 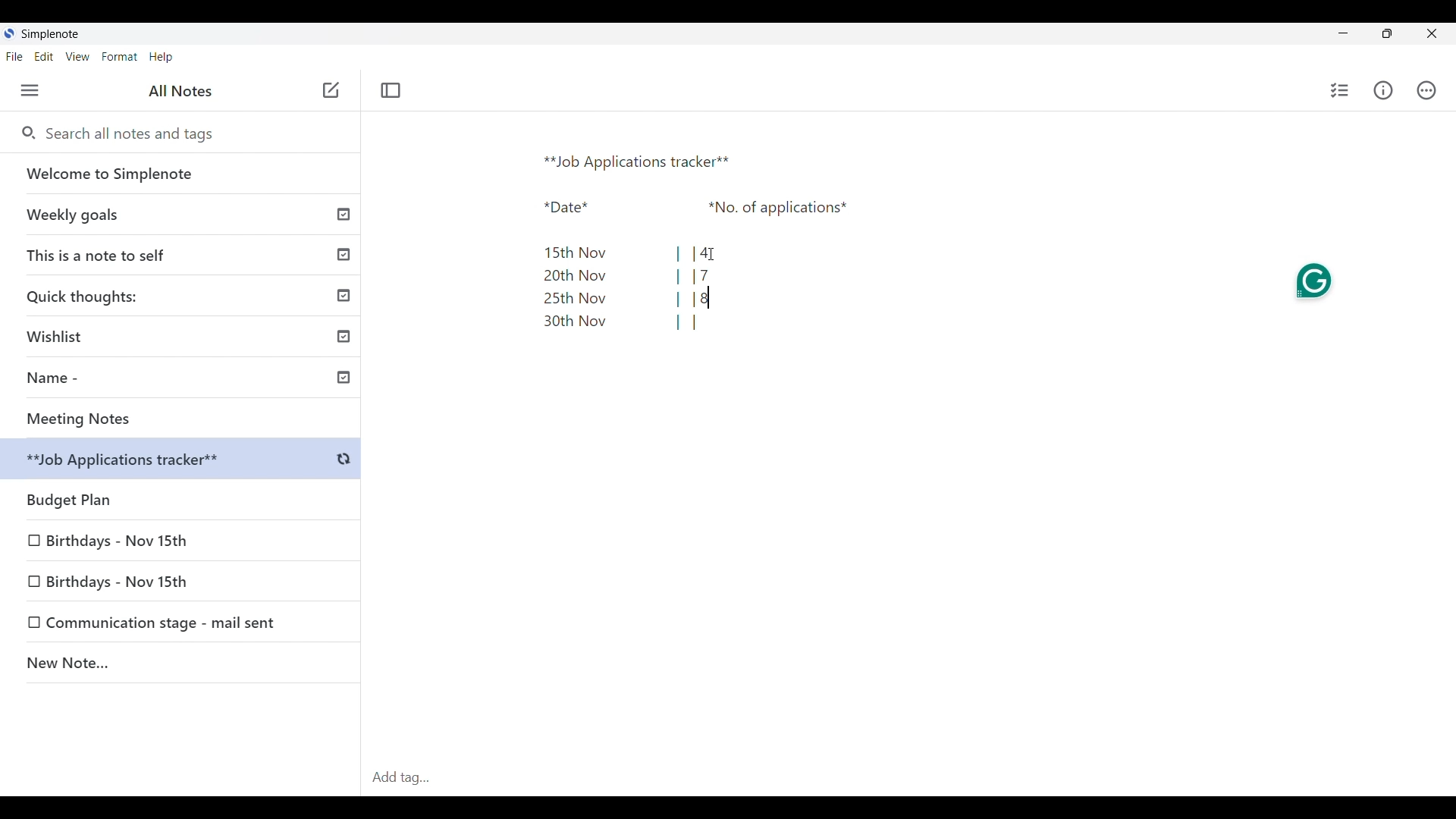 What do you see at coordinates (50, 34) in the screenshot?
I see `Software name` at bounding box center [50, 34].